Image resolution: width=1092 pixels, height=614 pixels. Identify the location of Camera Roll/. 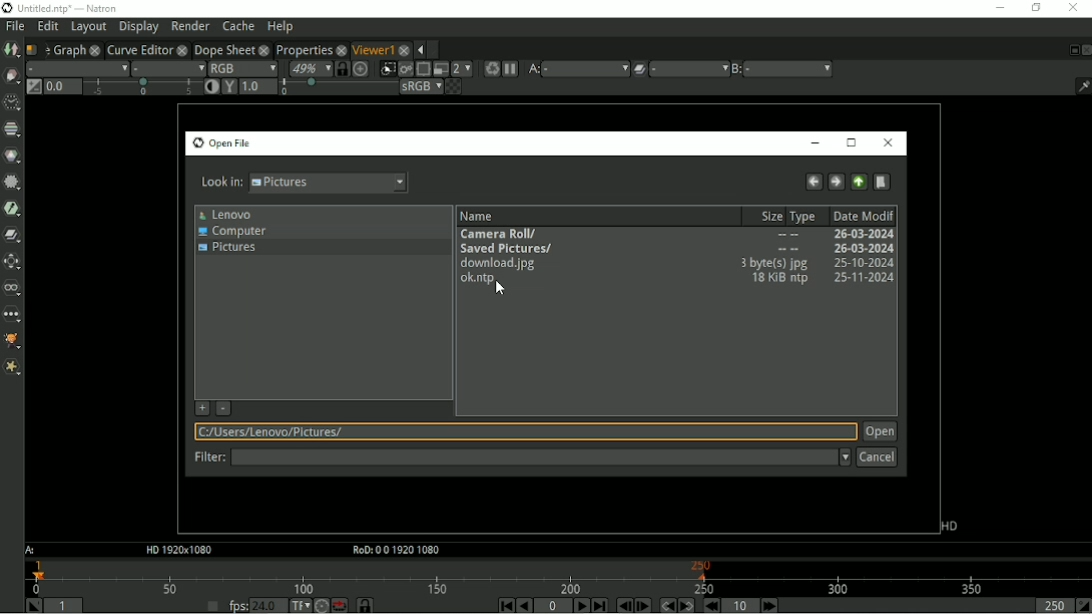
(677, 235).